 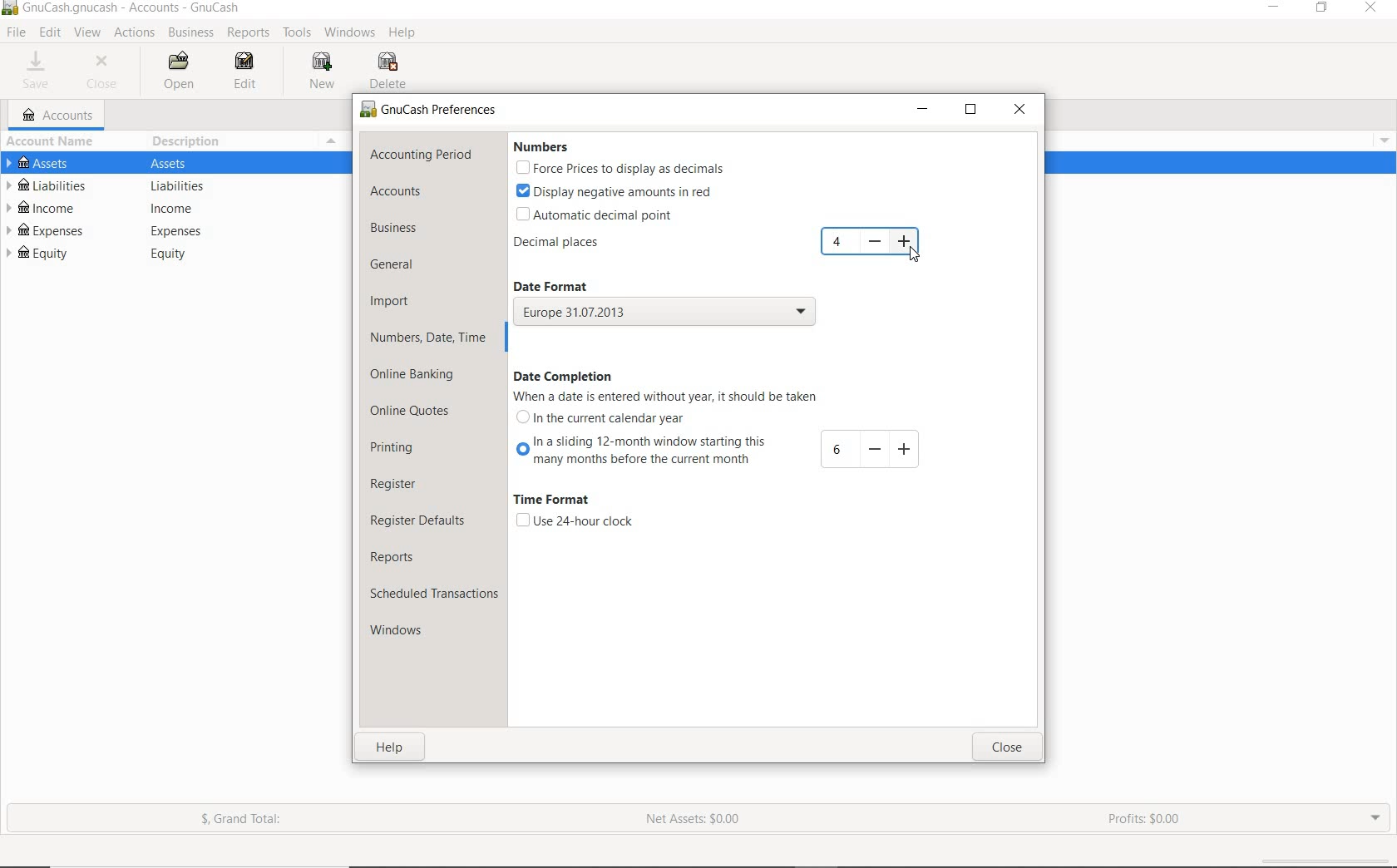 I want to click on ACCOUNTS, so click(x=58, y=115).